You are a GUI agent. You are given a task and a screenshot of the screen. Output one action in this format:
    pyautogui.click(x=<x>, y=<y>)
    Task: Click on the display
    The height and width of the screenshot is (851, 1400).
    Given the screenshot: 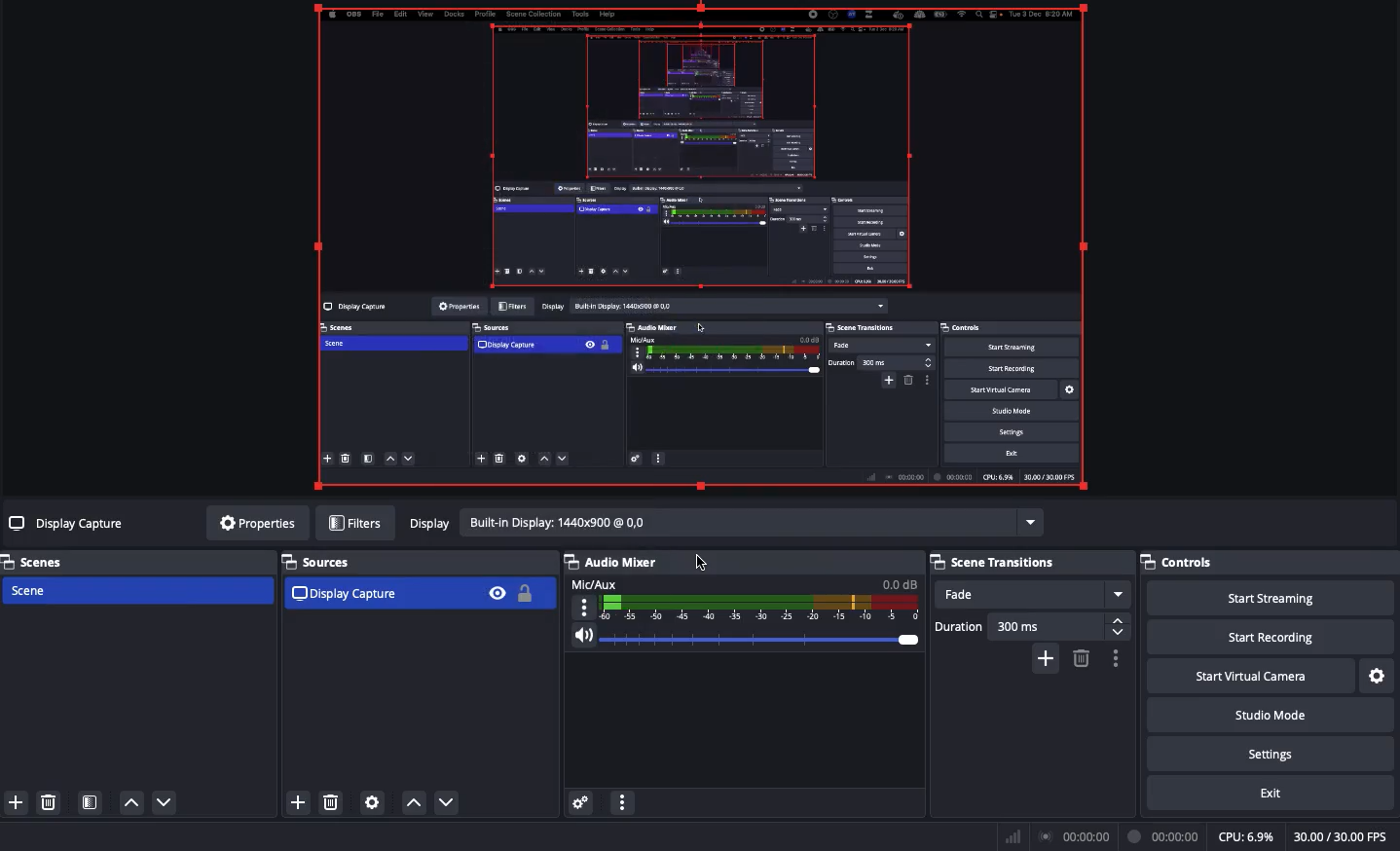 What is the action you would take?
    pyautogui.click(x=729, y=526)
    